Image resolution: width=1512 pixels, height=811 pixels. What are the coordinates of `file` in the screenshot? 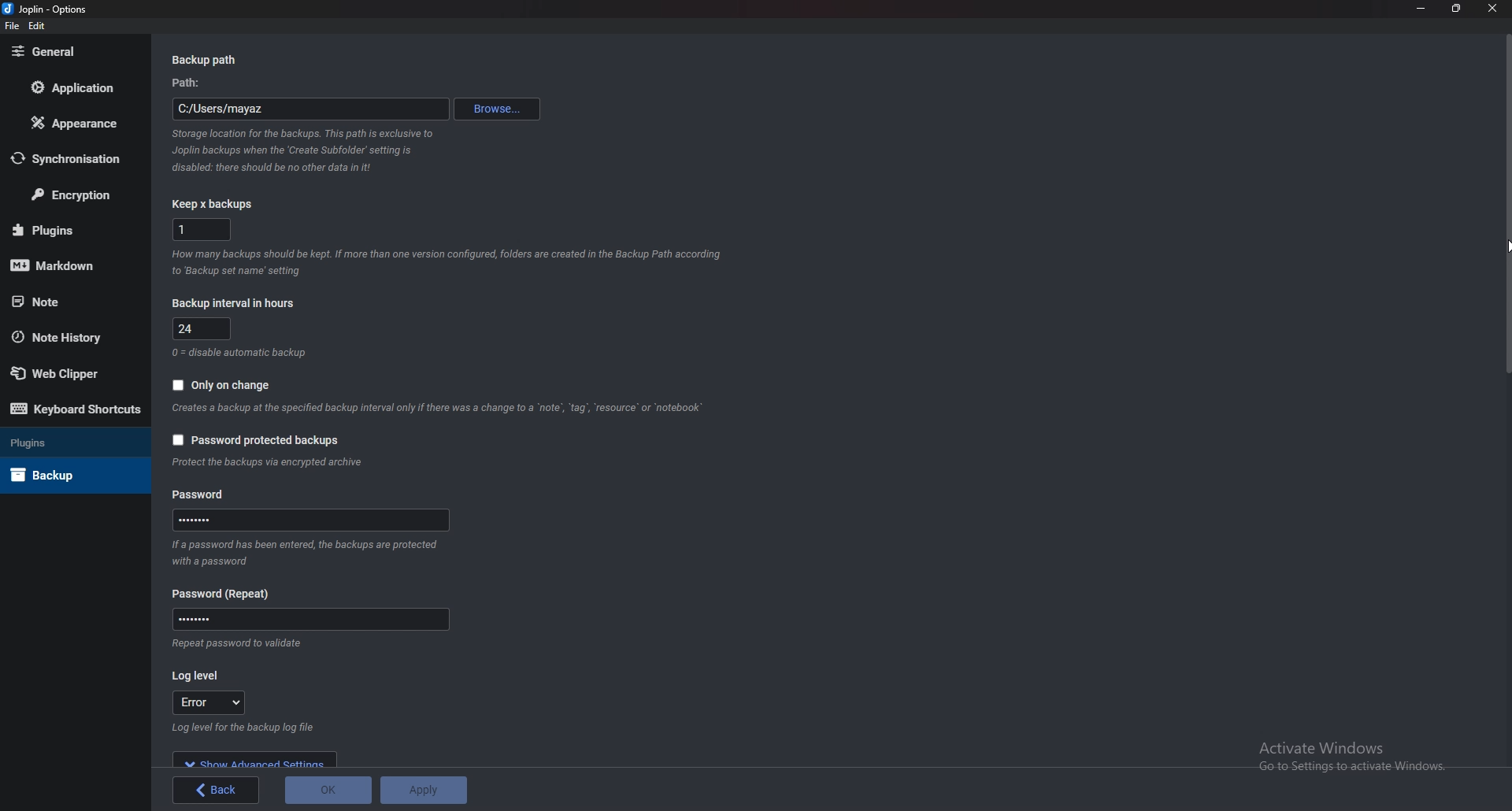 It's located at (13, 26).